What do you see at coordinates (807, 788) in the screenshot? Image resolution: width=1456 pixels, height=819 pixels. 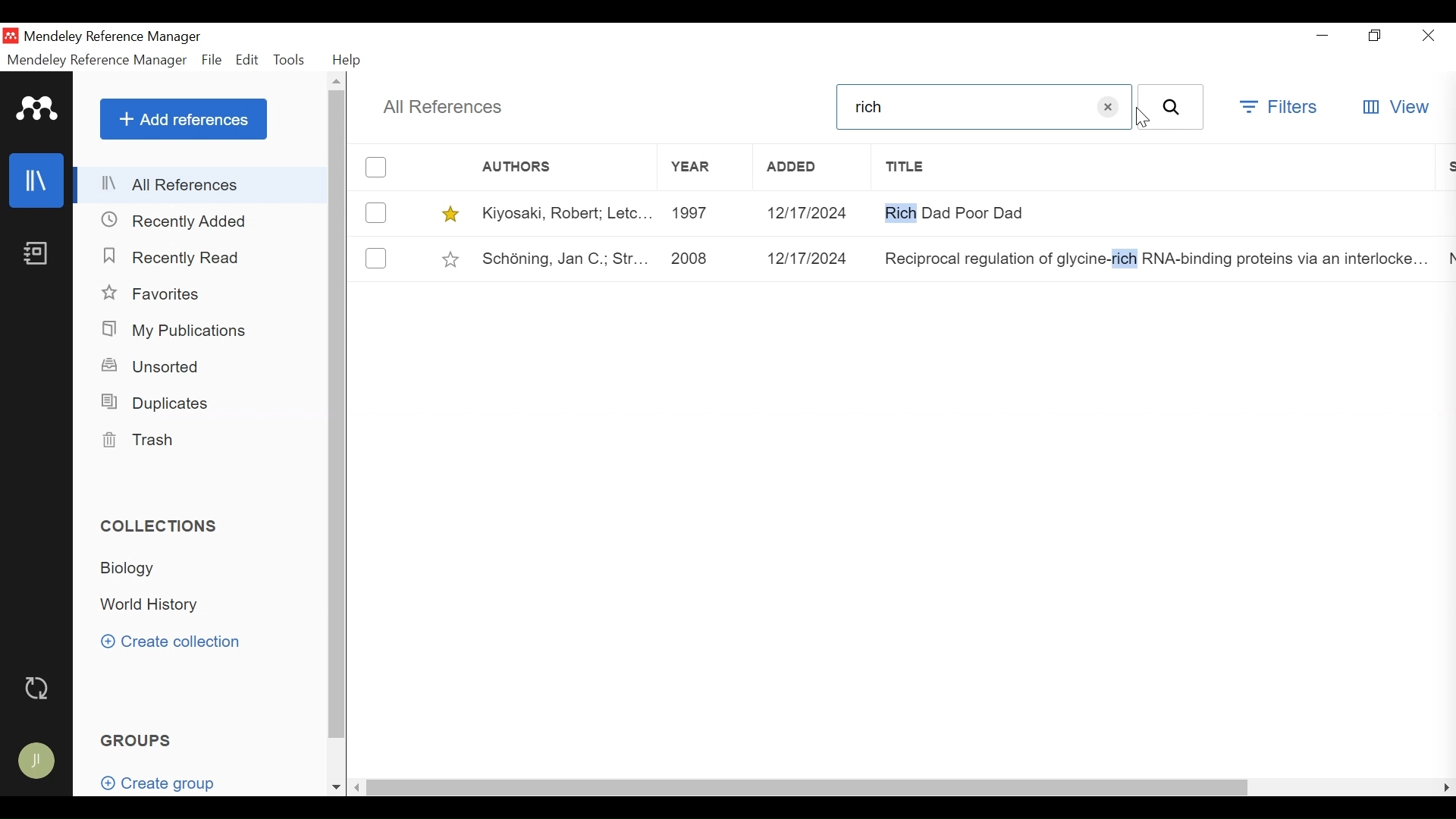 I see `Horizontal Scroll bar` at bounding box center [807, 788].